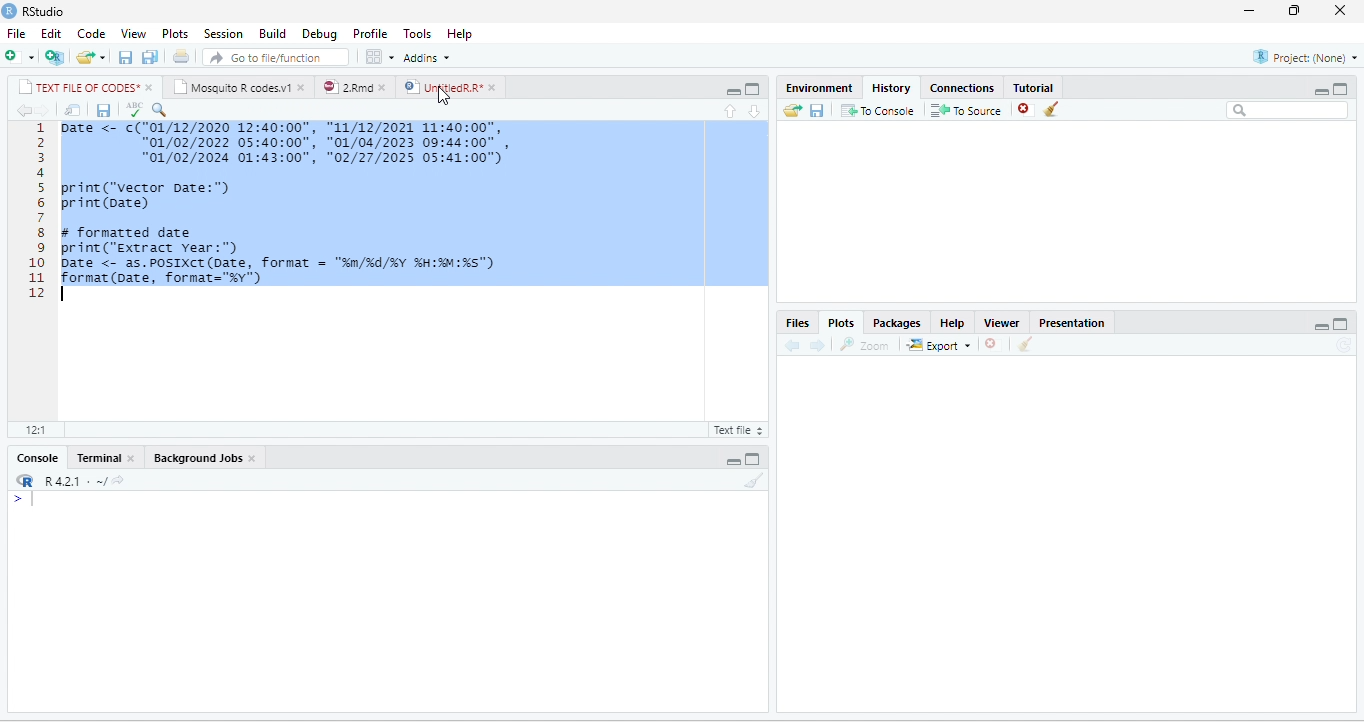 This screenshot has width=1364, height=722. I want to click on RStudio, so click(46, 12).